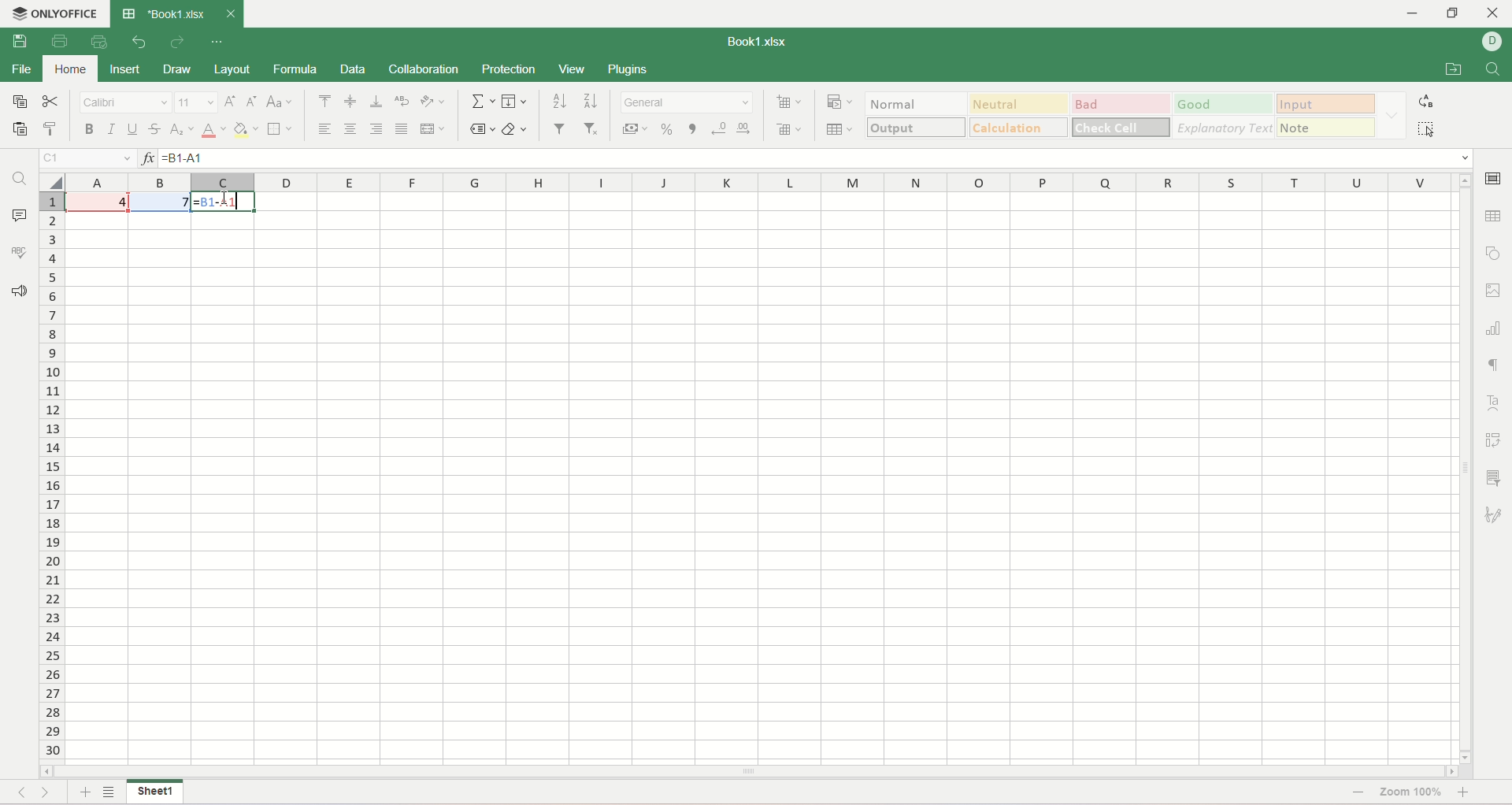 This screenshot has width=1512, height=805. I want to click on strikethrough, so click(155, 129).